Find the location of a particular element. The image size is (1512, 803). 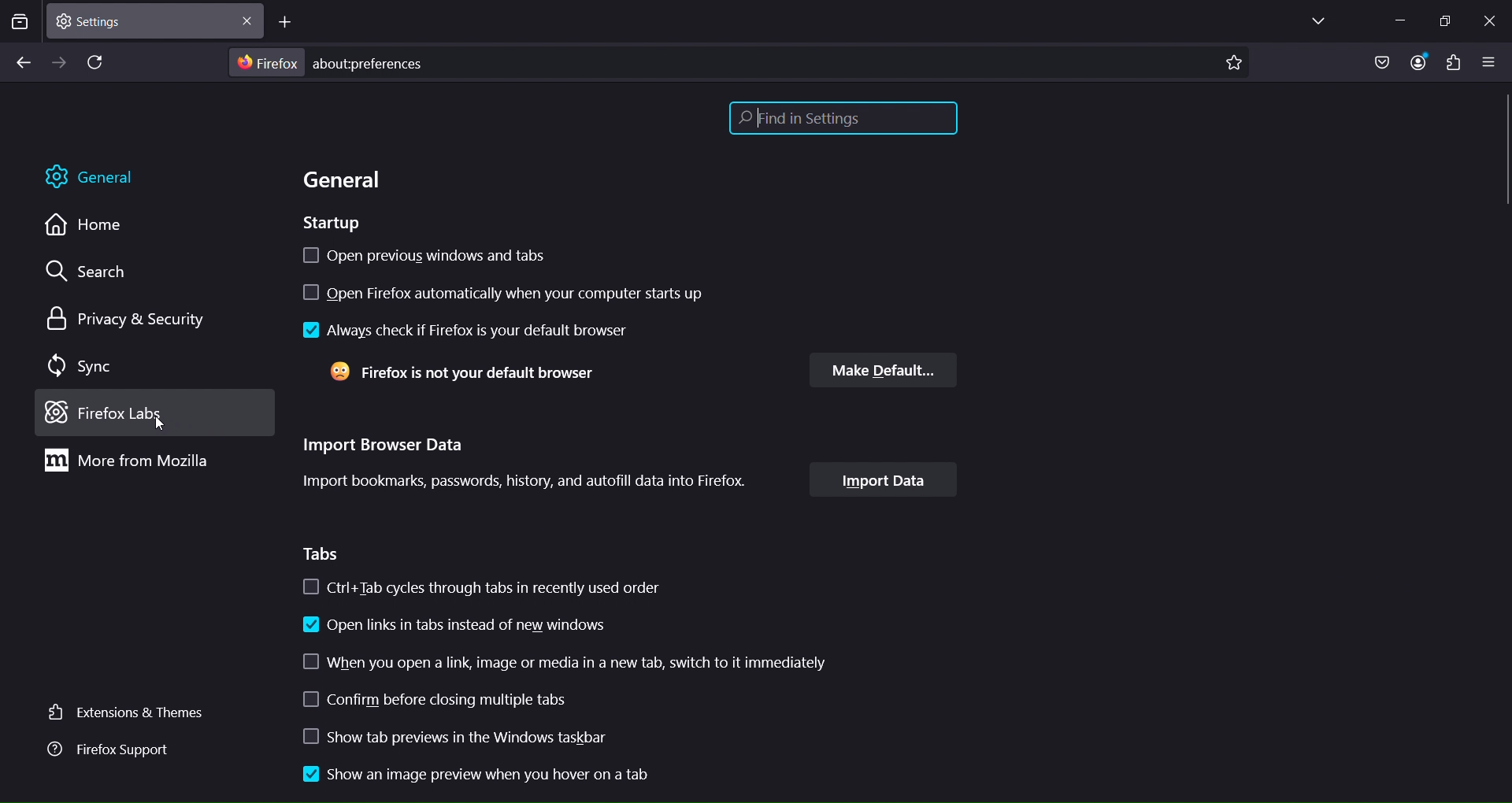

restore down is located at coordinates (1443, 22).